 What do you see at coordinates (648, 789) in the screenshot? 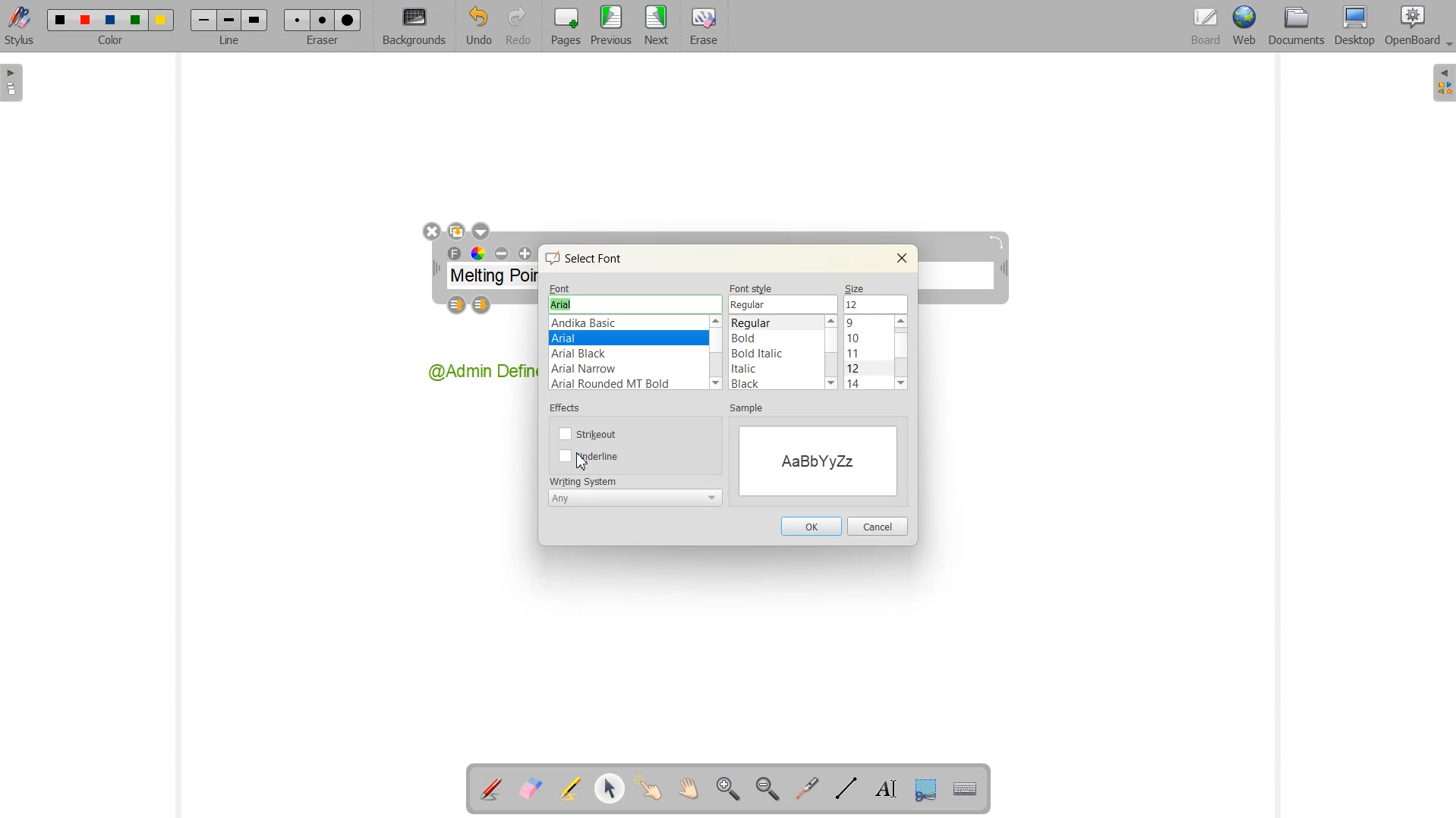
I see `Interact with item` at bounding box center [648, 789].